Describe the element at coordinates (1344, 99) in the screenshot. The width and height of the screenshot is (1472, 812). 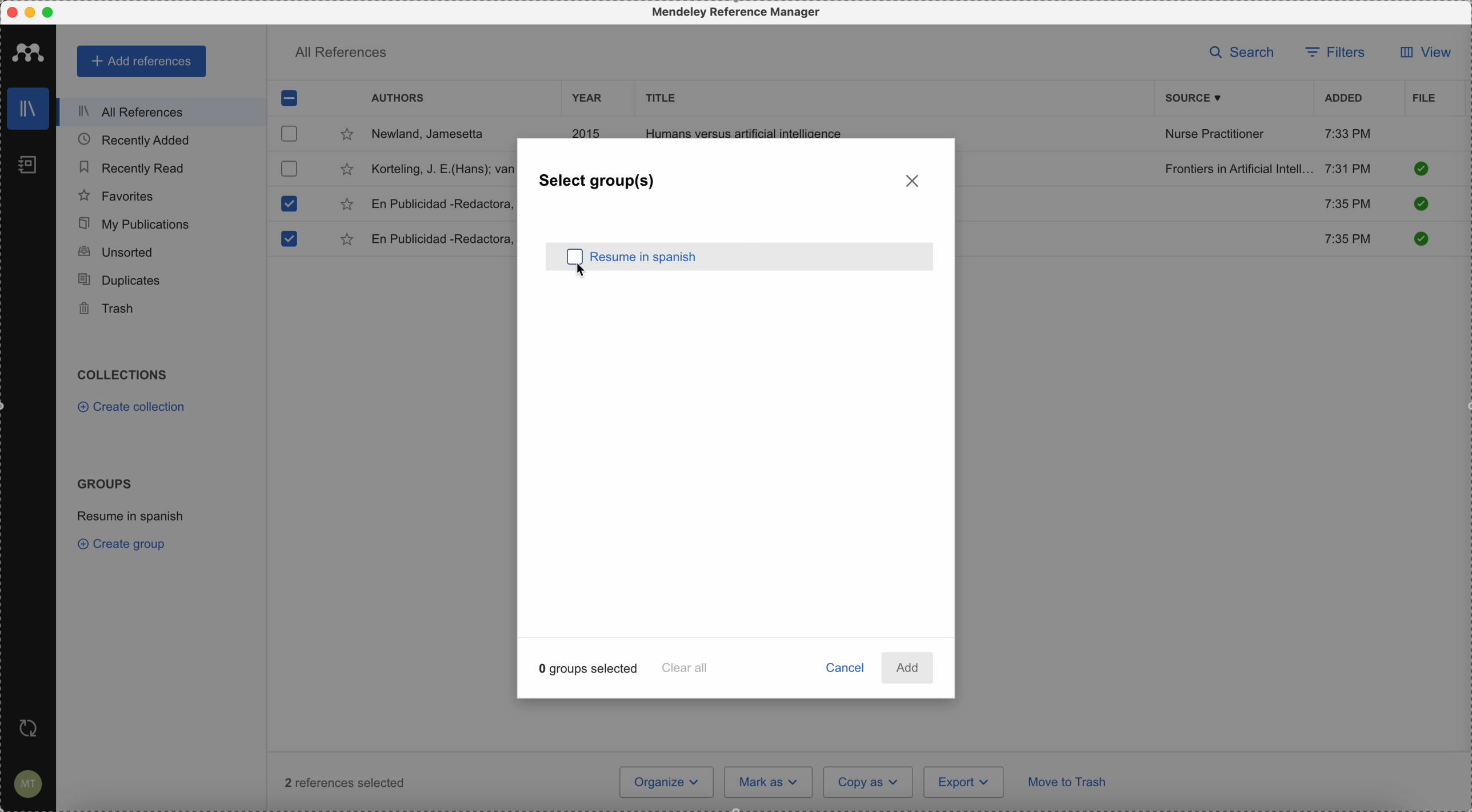
I see `added` at that location.